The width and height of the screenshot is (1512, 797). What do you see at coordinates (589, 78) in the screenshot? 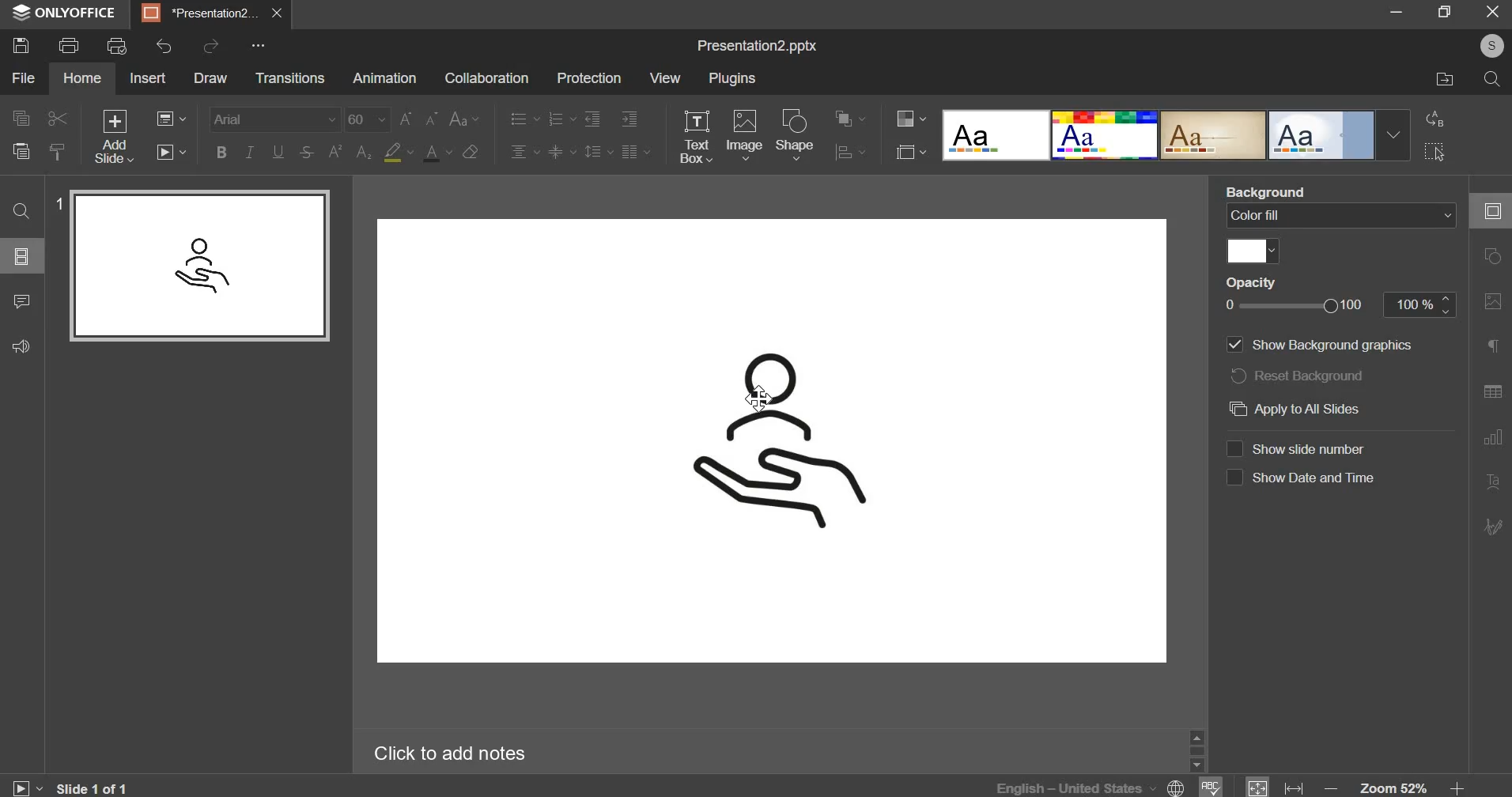
I see `protection` at bounding box center [589, 78].